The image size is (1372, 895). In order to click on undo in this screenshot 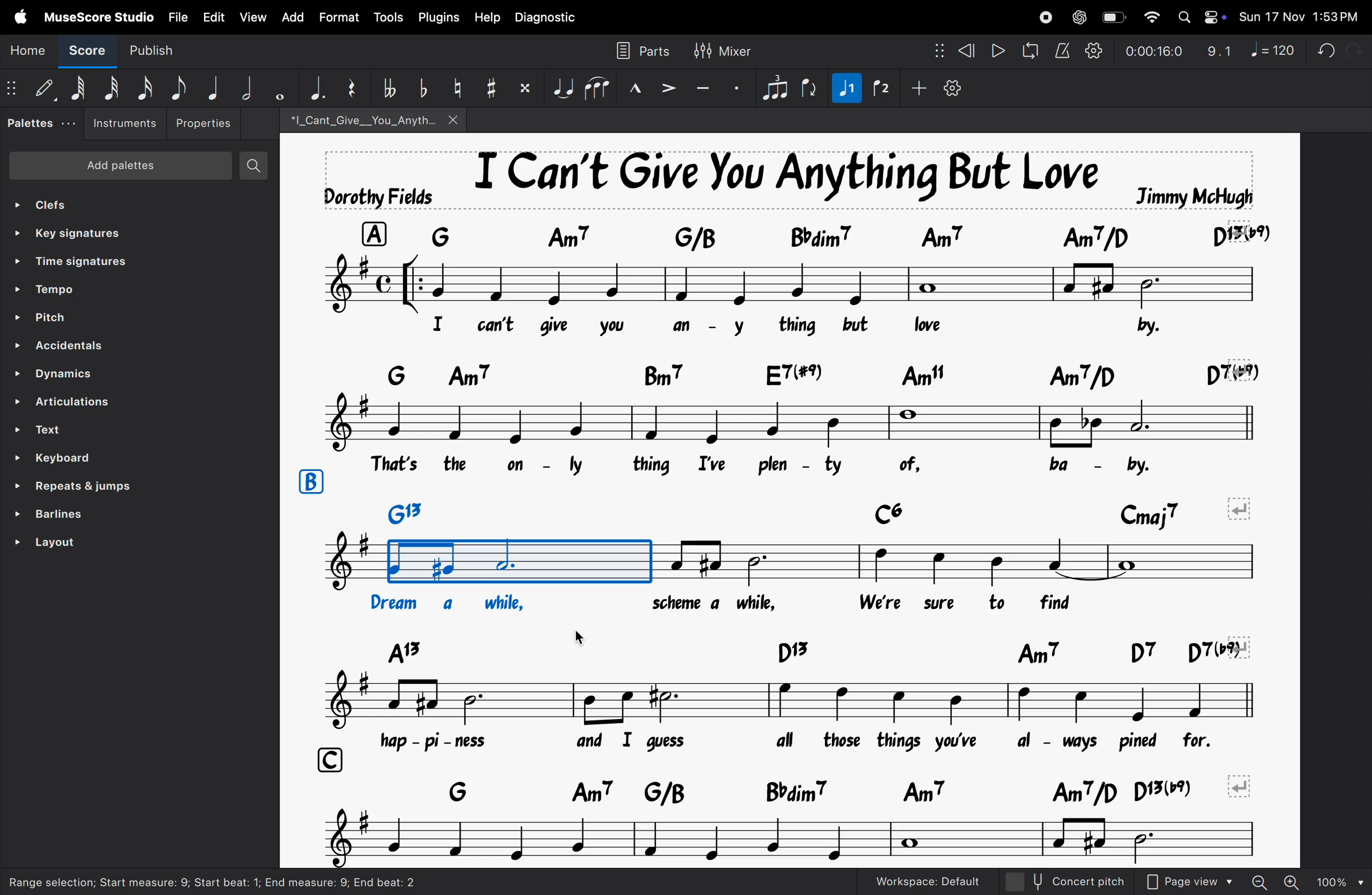, I will do `click(1322, 48)`.